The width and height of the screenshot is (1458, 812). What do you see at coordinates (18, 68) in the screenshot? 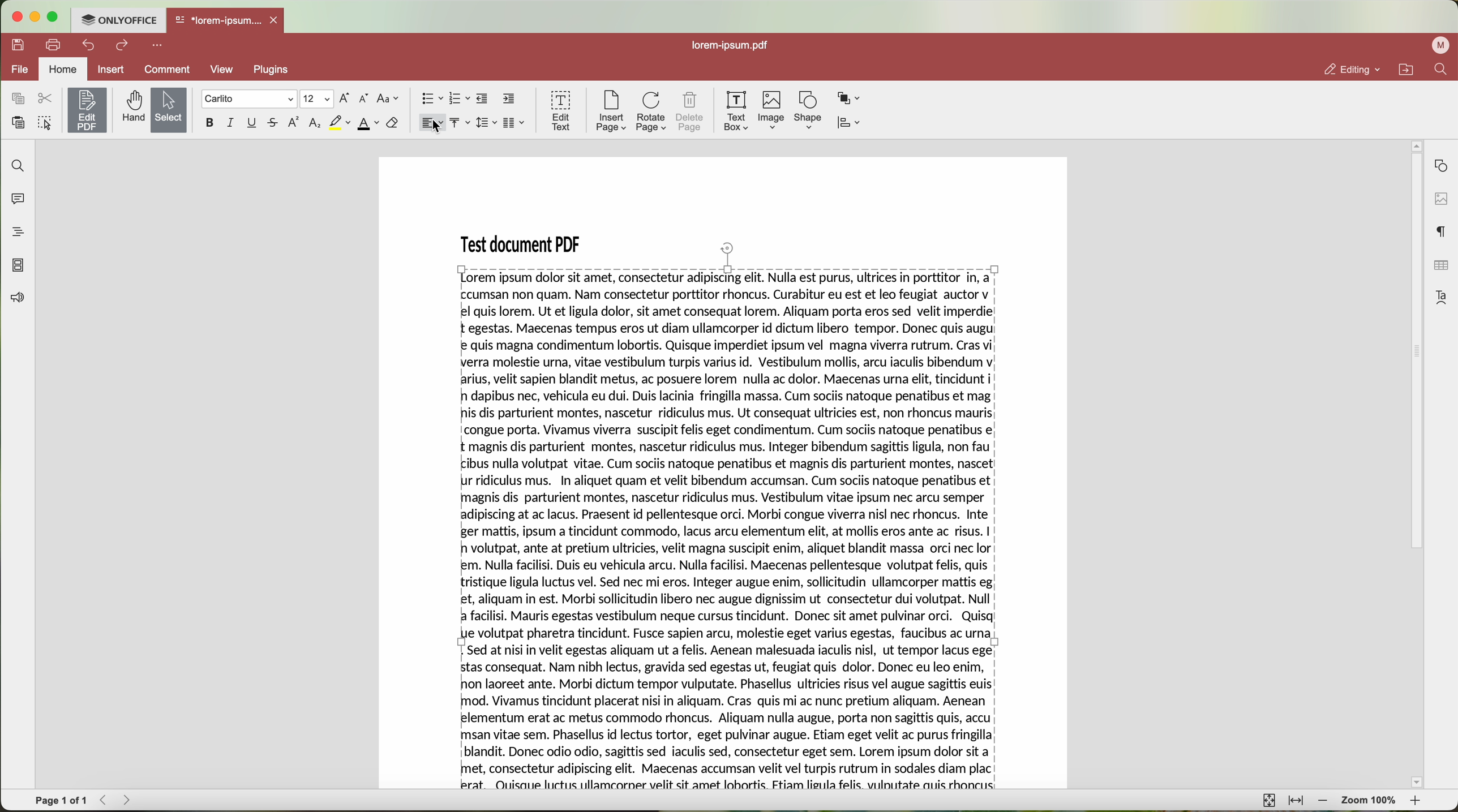
I see `file` at bounding box center [18, 68].